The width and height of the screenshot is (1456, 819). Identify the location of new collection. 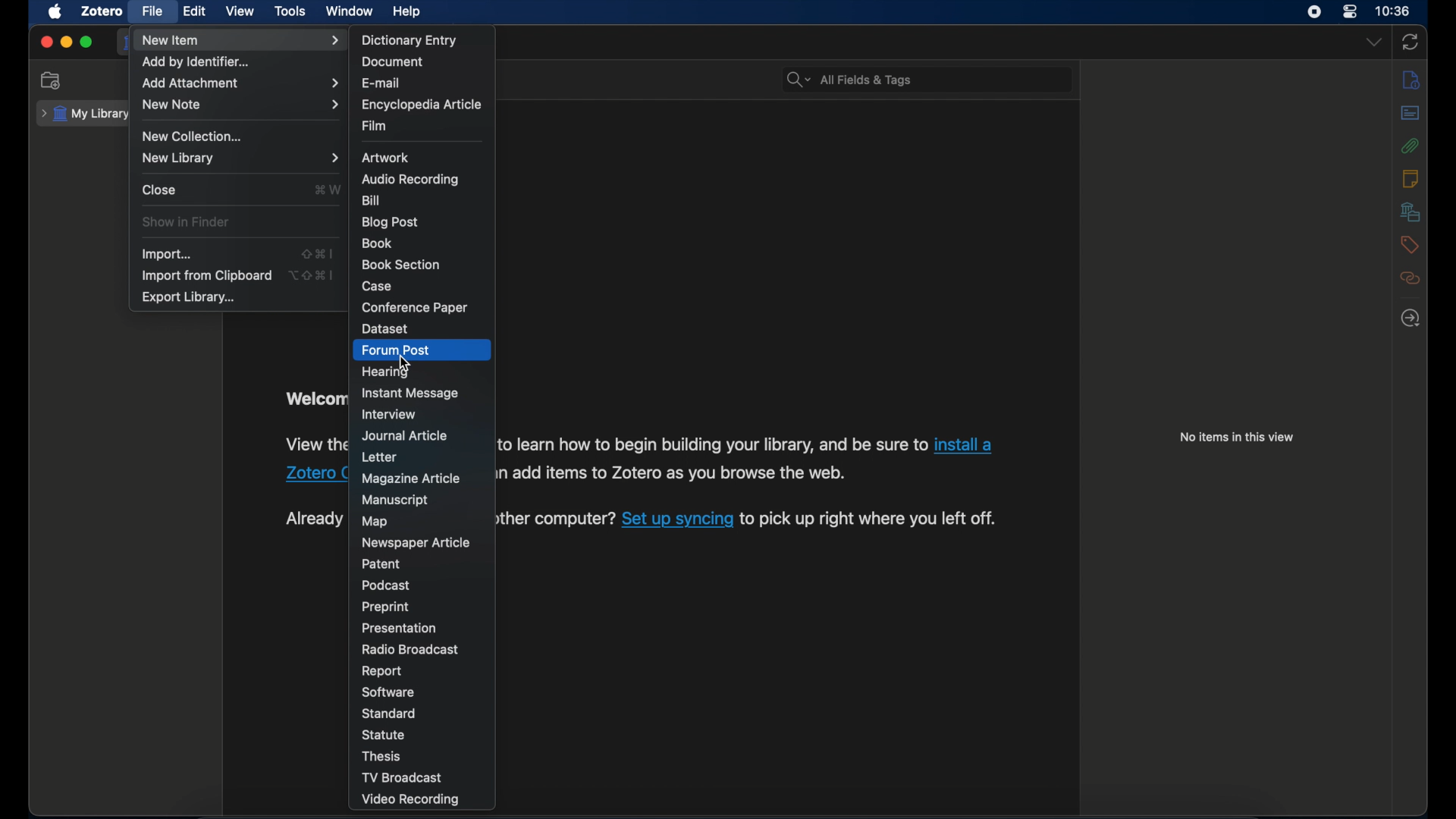
(194, 136).